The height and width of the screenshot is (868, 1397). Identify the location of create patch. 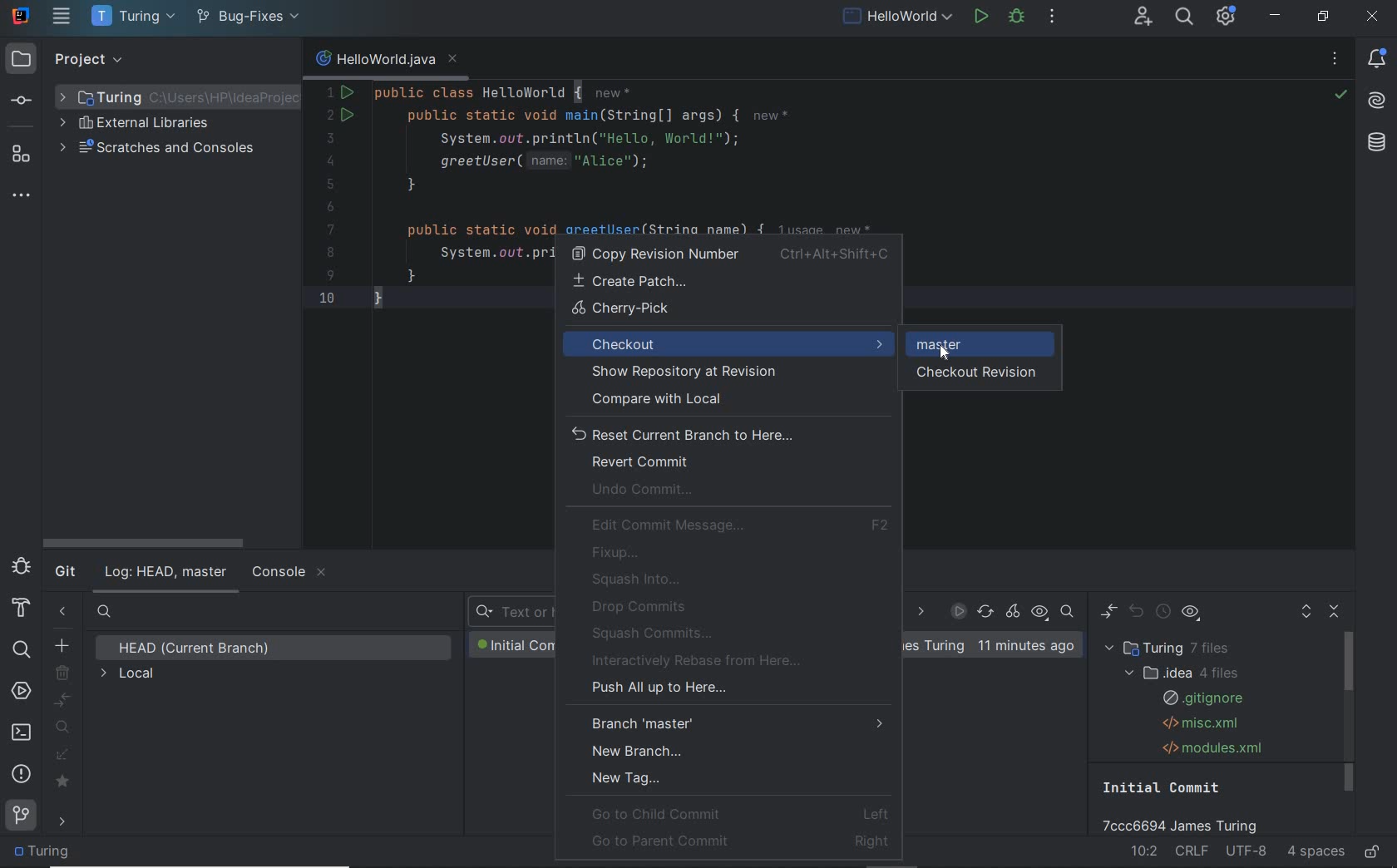
(727, 282).